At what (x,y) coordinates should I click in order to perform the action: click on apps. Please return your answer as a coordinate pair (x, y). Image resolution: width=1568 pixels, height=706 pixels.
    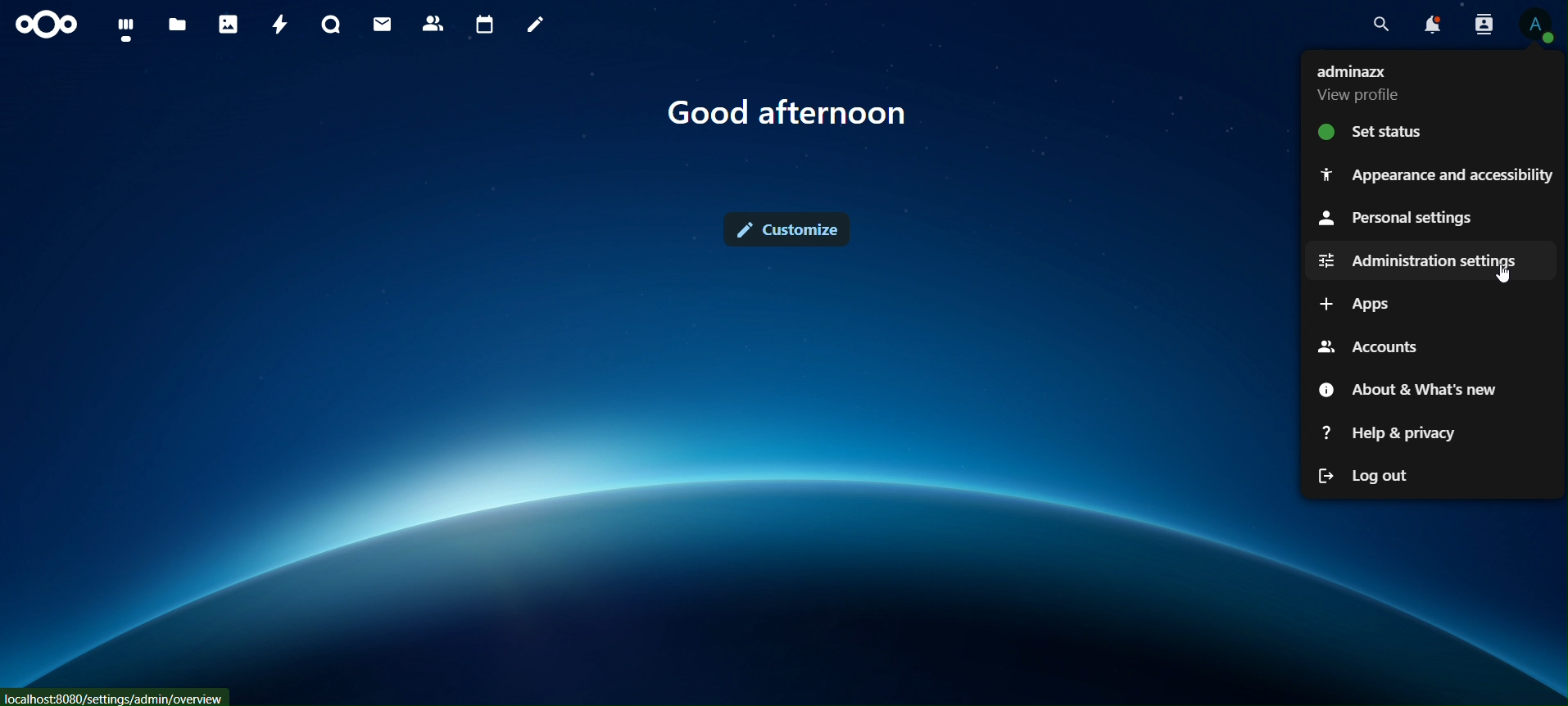
    Looking at the image, I should click on (1353, 305).